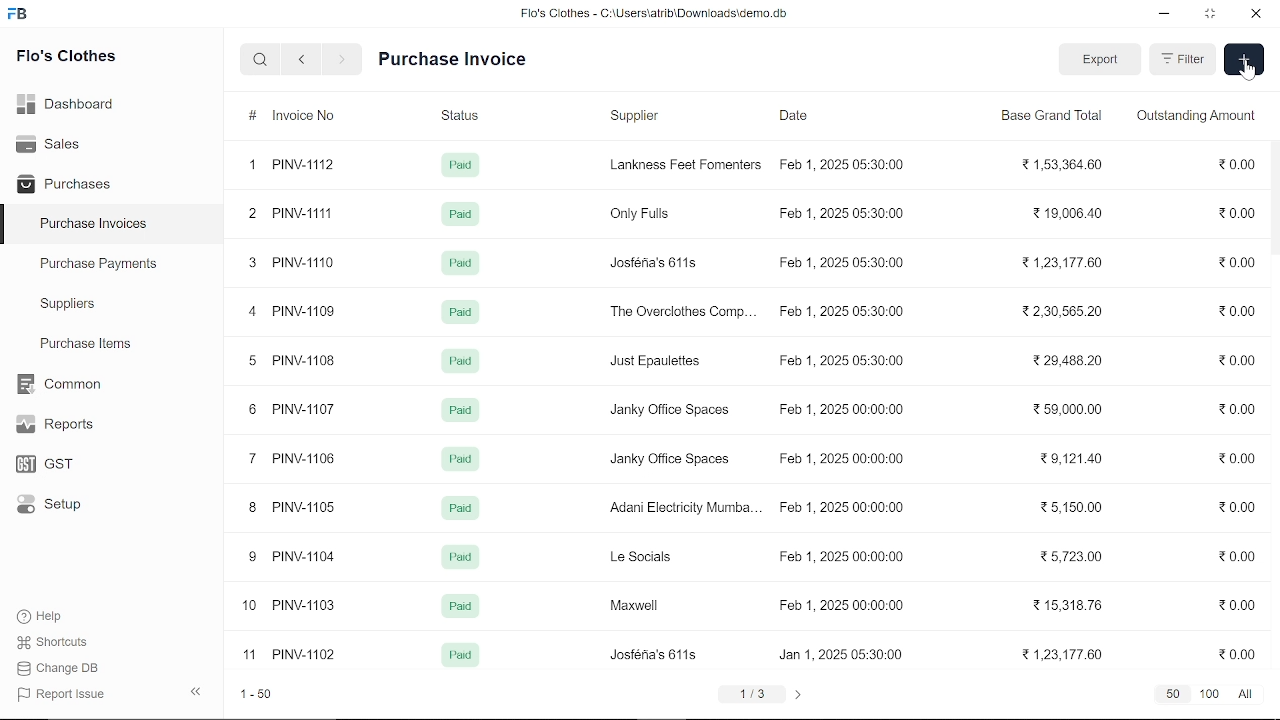  I want to click on next, so click(342, 63).